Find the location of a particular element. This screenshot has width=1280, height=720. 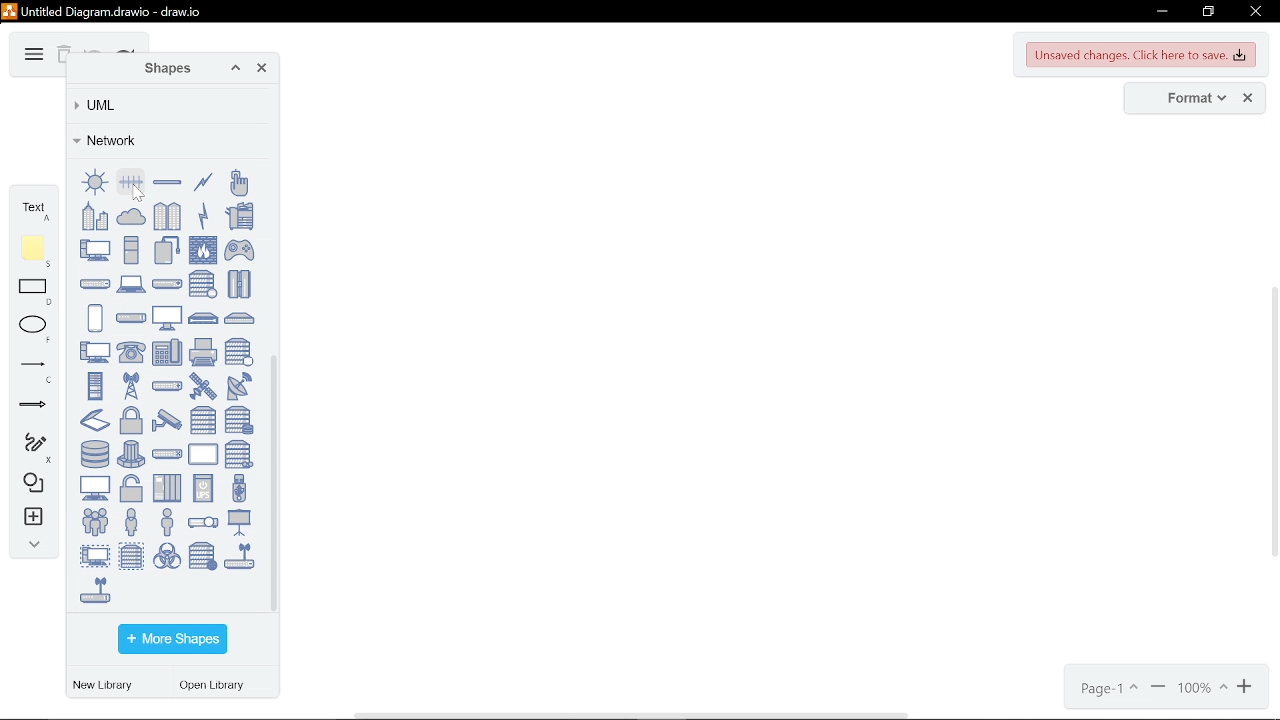

delete is located at coordinates (63, 56).